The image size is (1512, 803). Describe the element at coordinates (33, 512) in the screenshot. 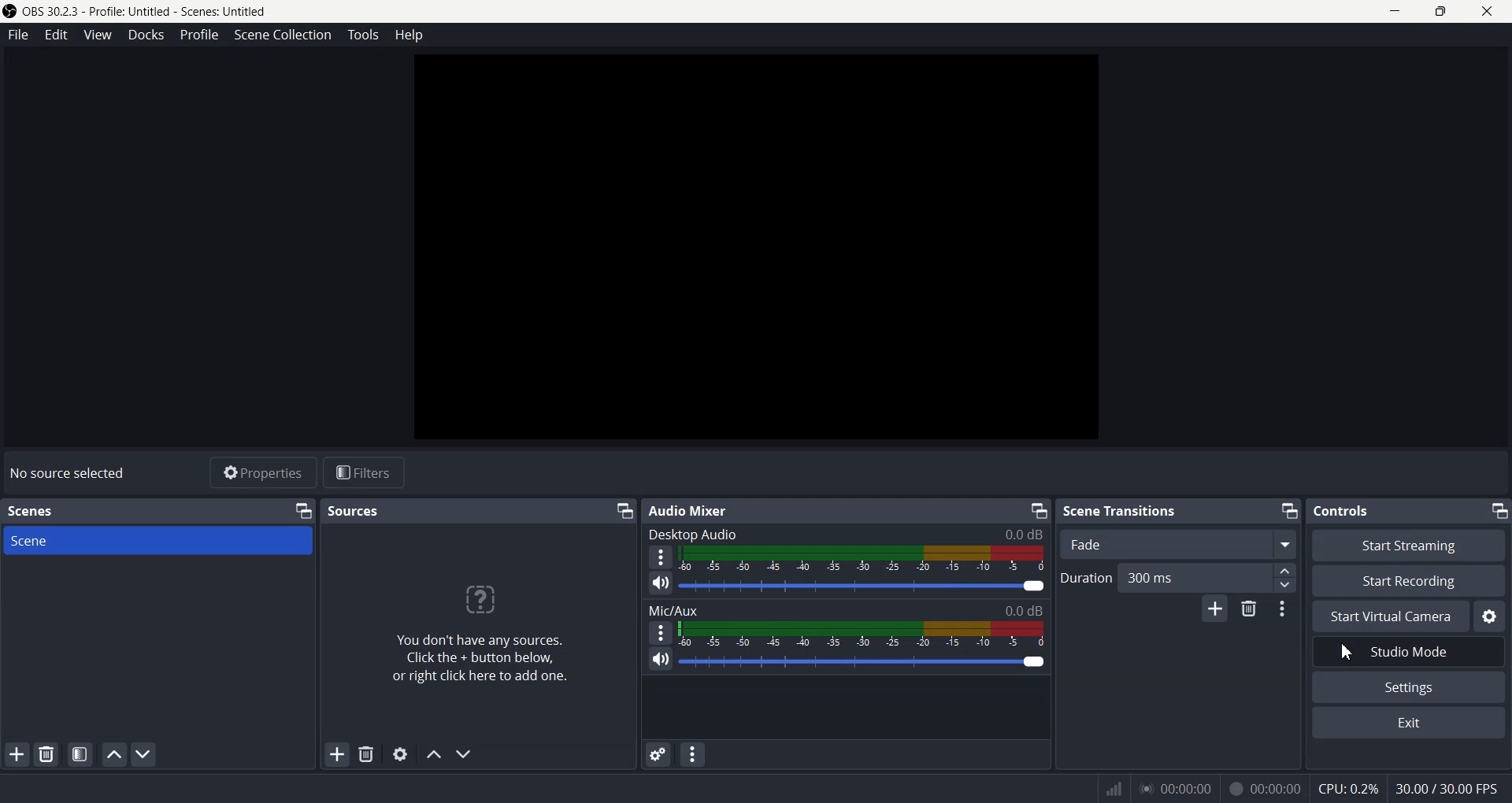

I see `Scenes` at that location.